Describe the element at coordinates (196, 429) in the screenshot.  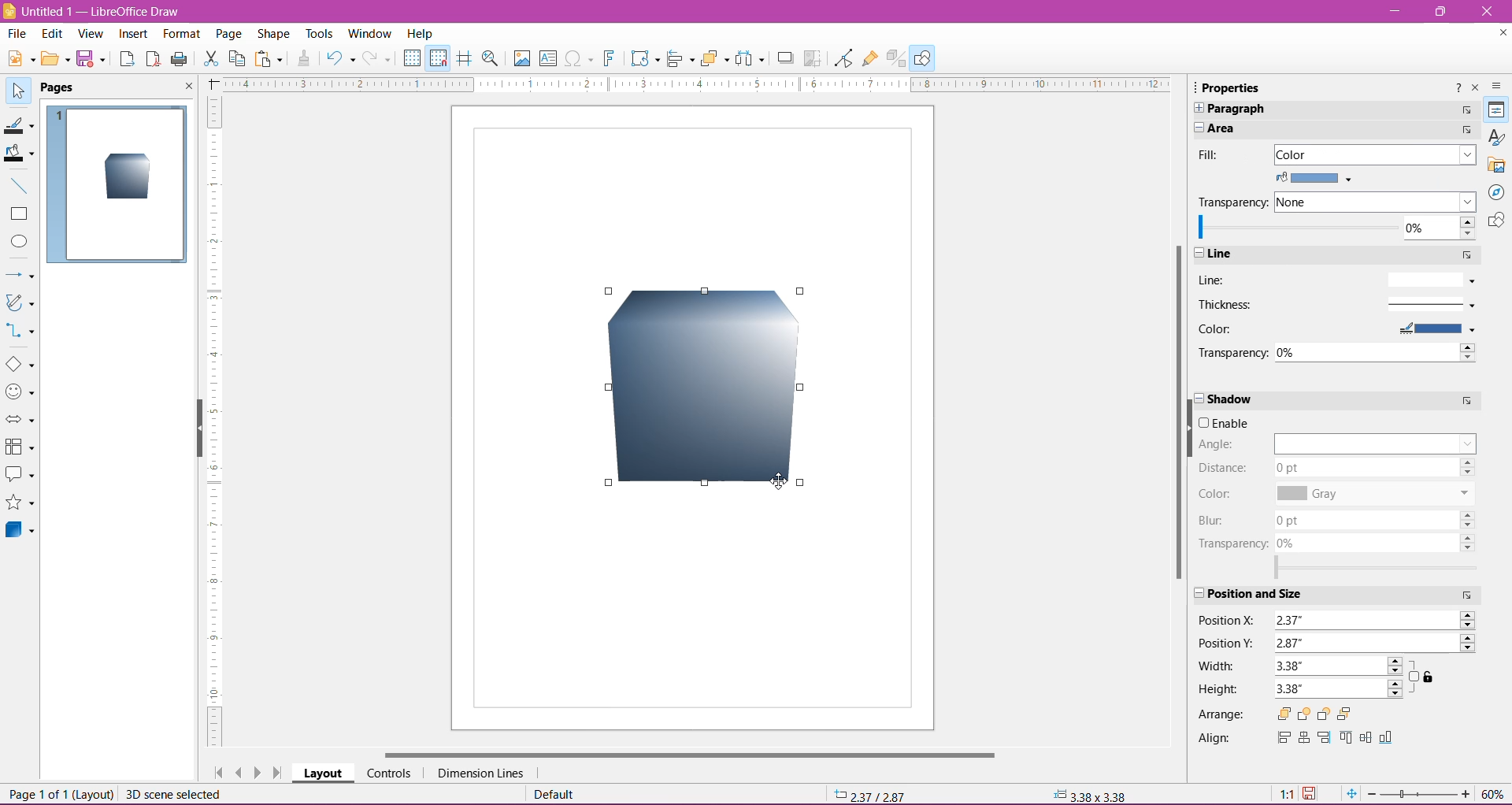
I see `Hide` at that location.